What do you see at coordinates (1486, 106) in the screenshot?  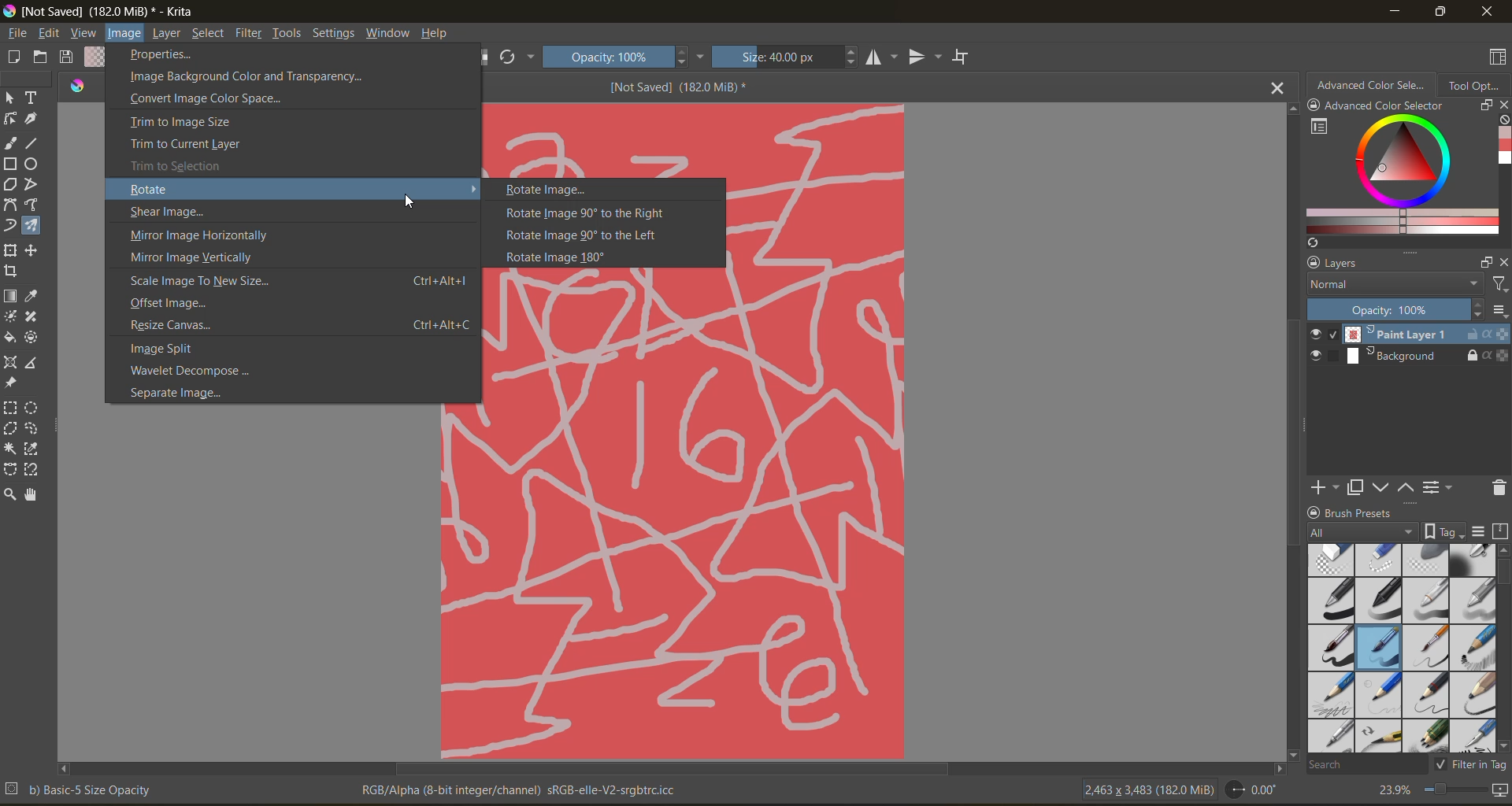 I see `float docker` at bounding box center [1486, 106].